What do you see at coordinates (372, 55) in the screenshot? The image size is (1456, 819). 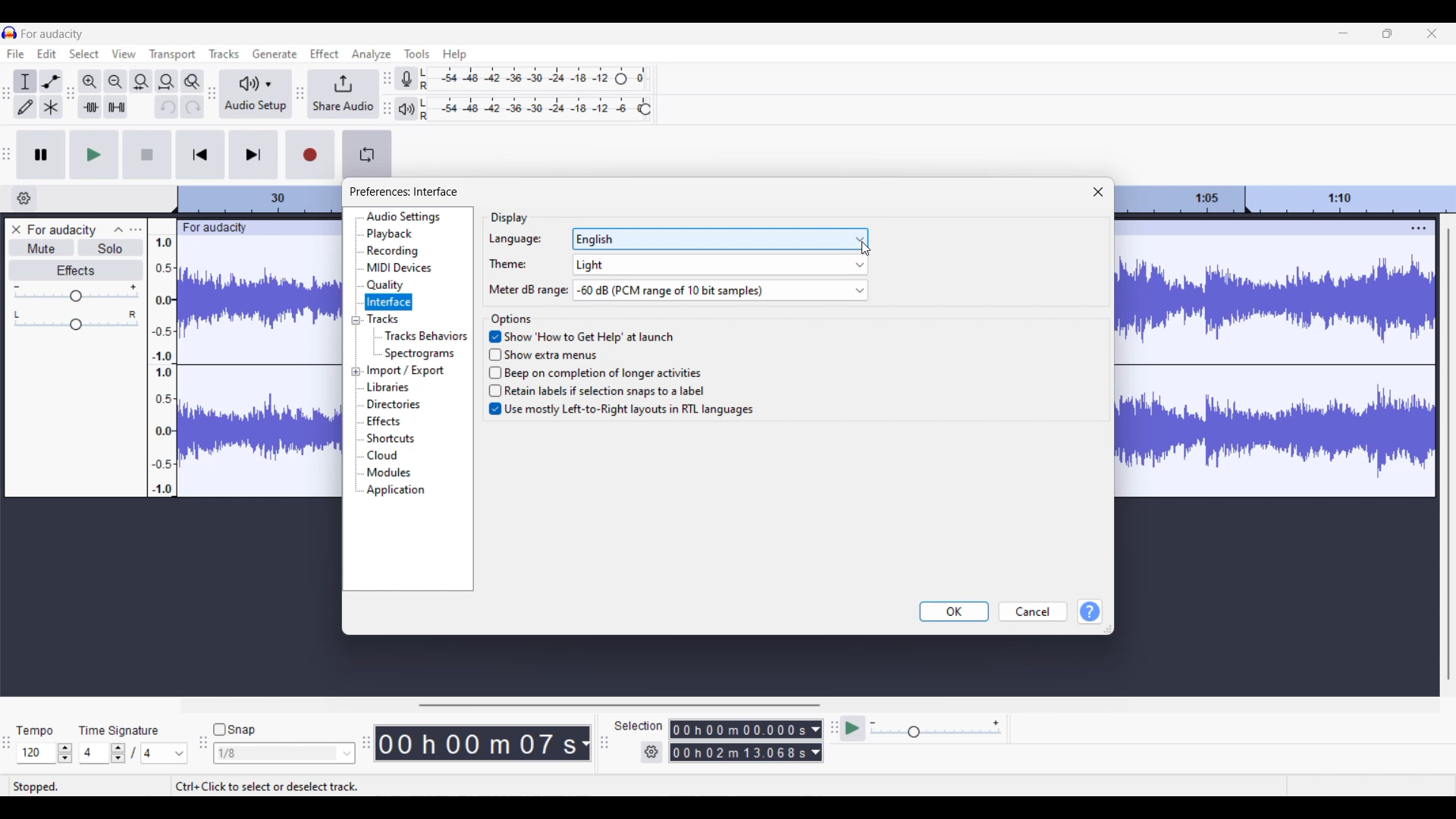 I see `Analyze menu` at bounding box center [372, 55].